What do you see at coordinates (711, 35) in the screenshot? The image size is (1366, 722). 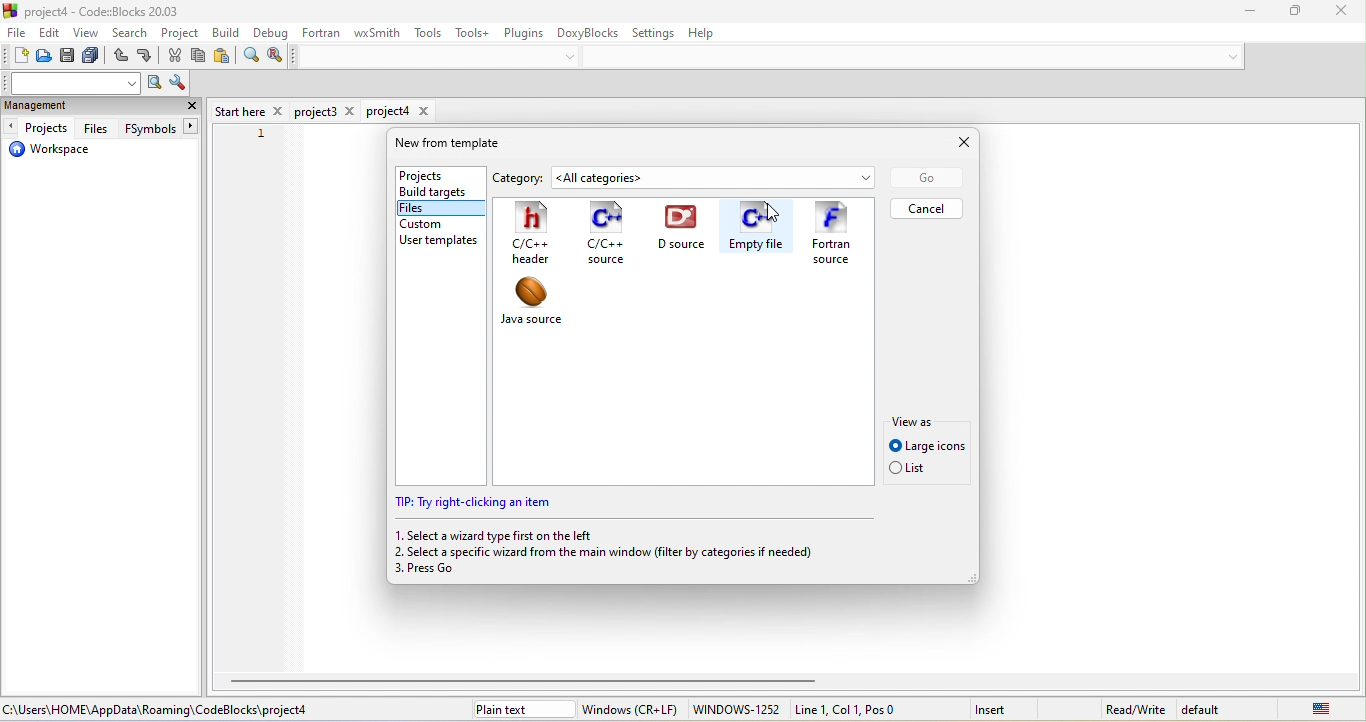 I see `help` at bounding box center [711, 35].